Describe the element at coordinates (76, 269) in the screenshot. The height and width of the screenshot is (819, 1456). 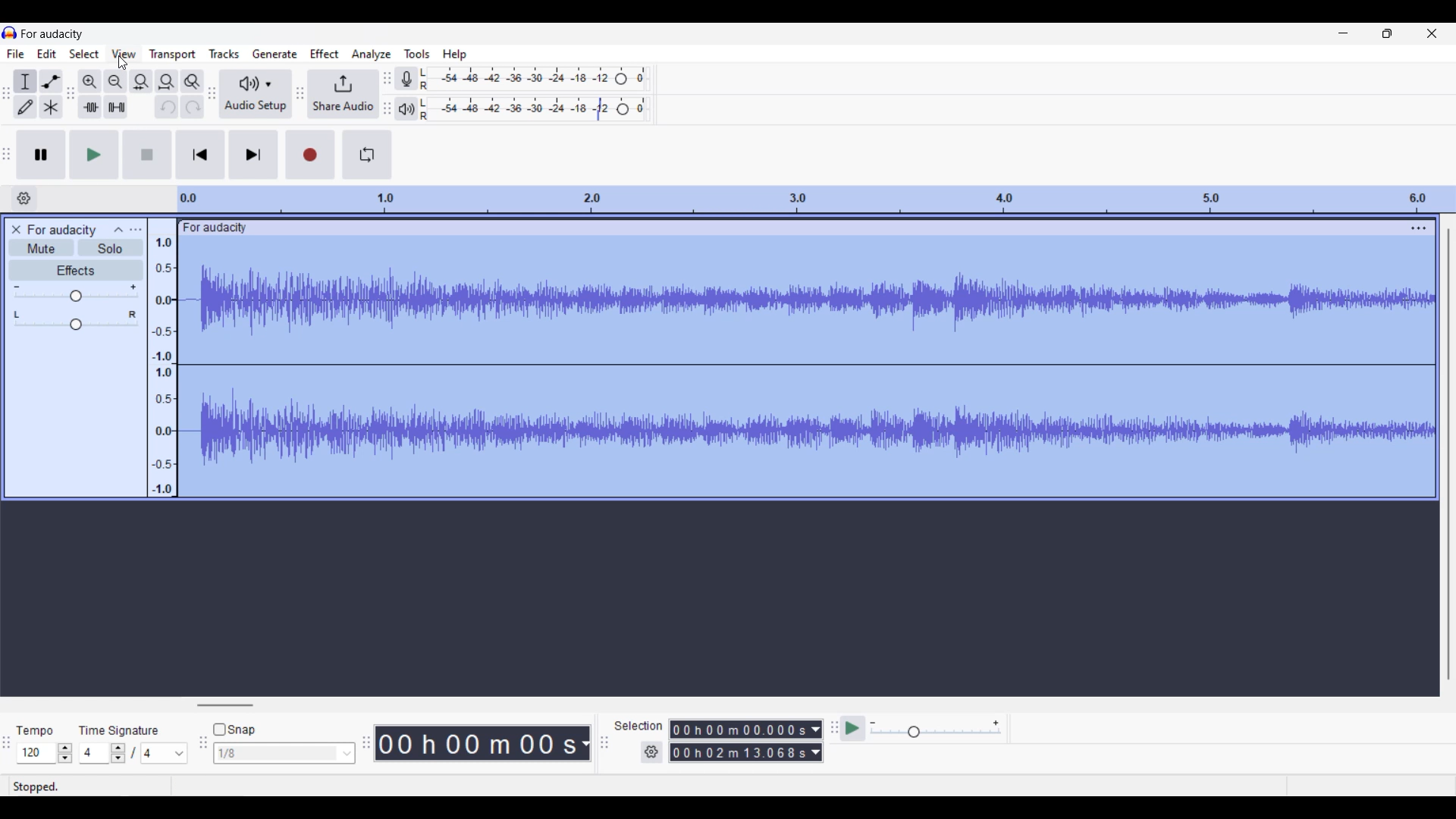
I see `Effects` at that location.